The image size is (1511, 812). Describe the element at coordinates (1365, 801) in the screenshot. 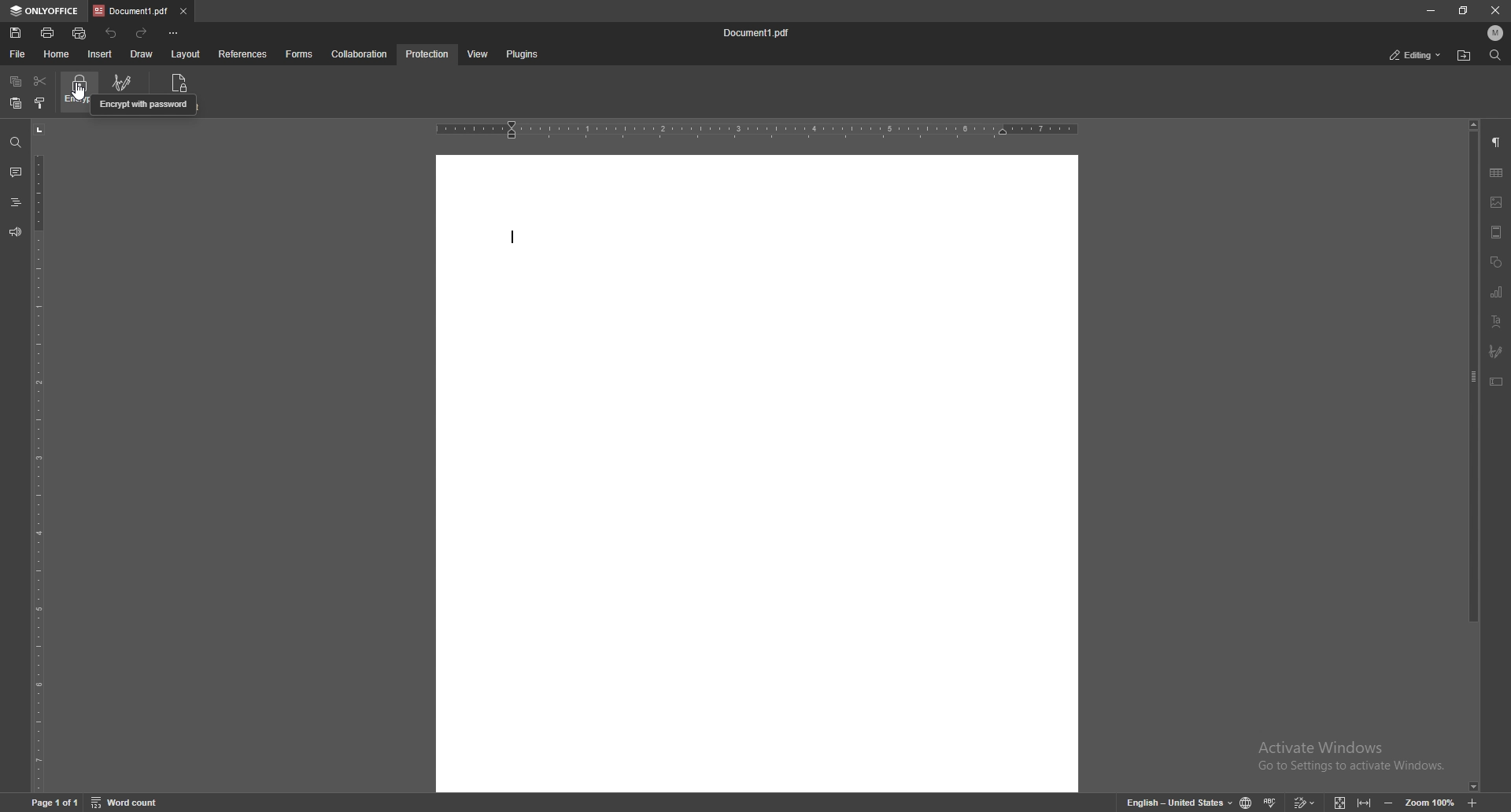

I see `fit to width` at that location.